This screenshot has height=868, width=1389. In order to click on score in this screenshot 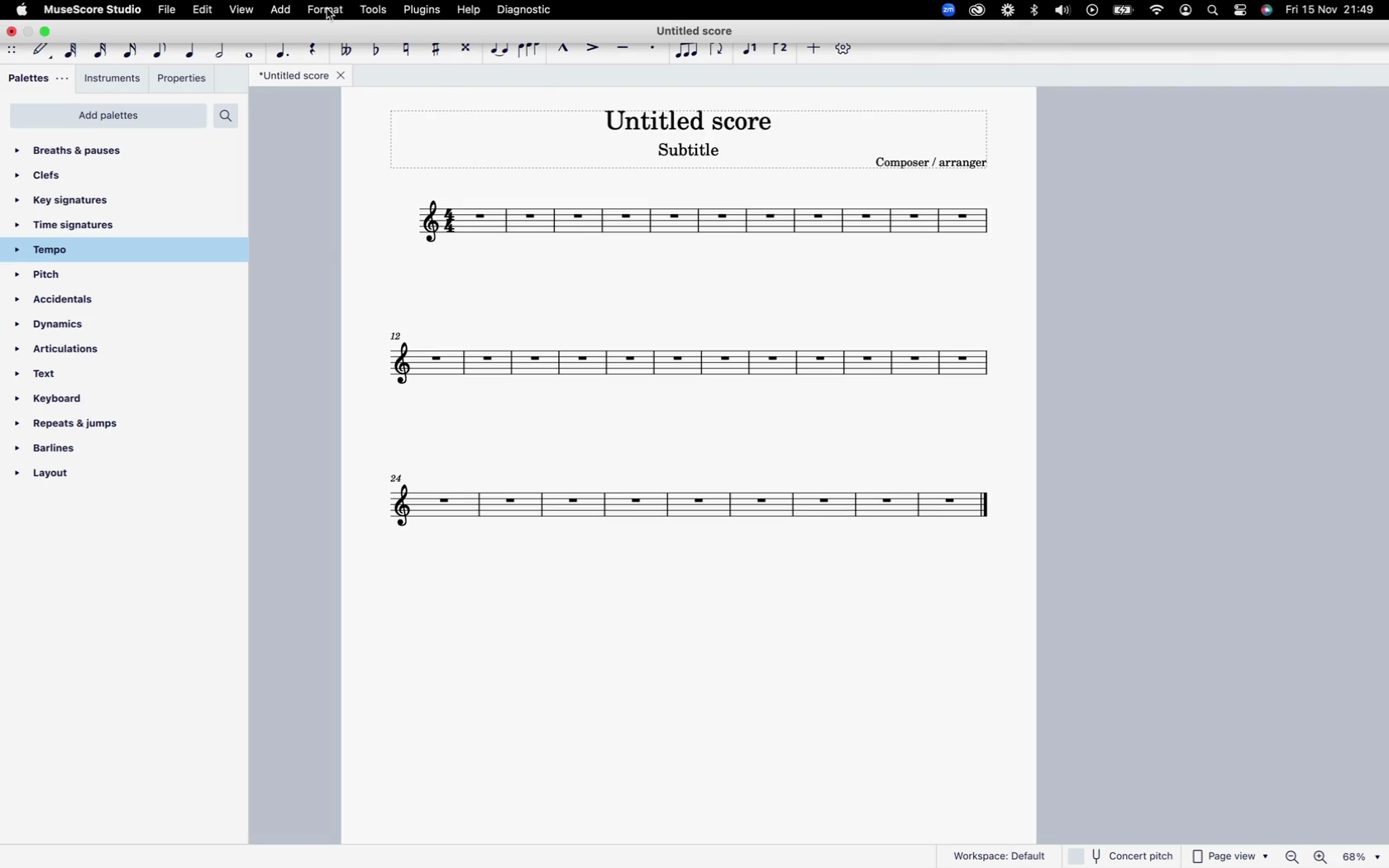, I will do `click(691, 364)`.